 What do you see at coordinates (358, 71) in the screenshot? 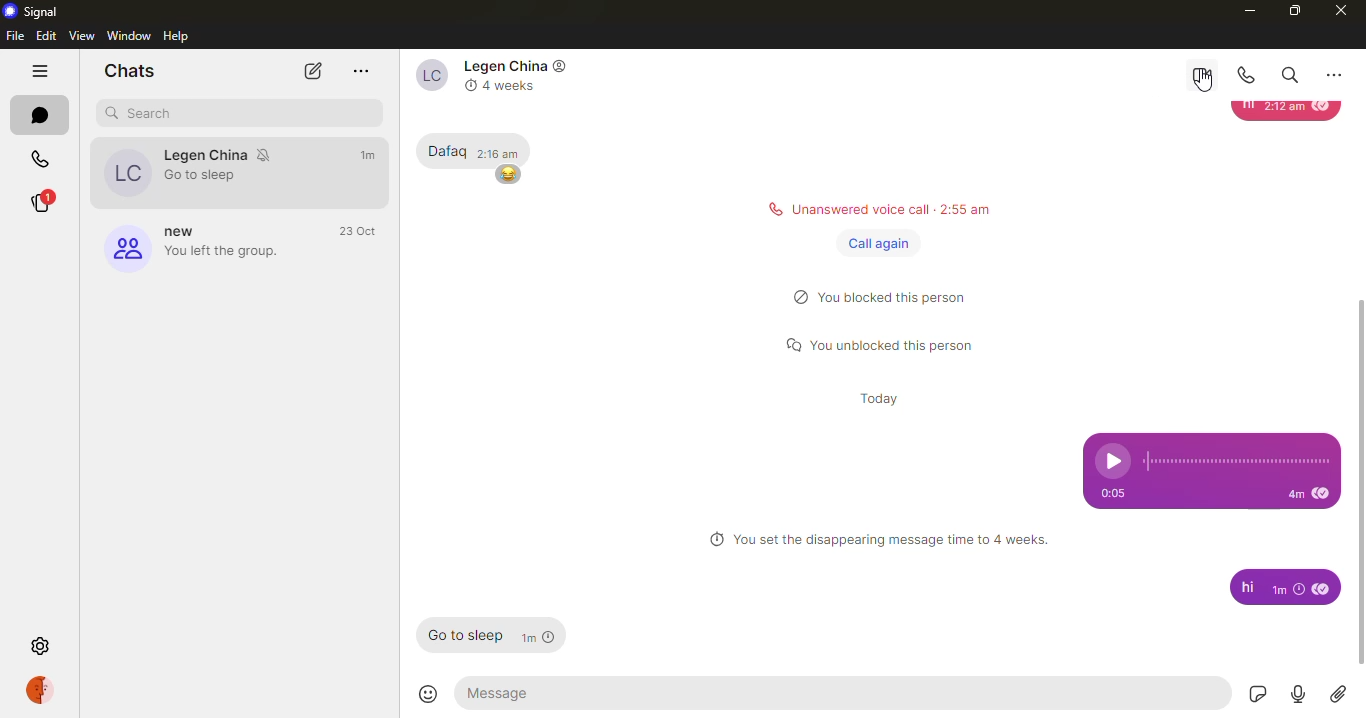
I see `more` at bounding box center [358, 71].